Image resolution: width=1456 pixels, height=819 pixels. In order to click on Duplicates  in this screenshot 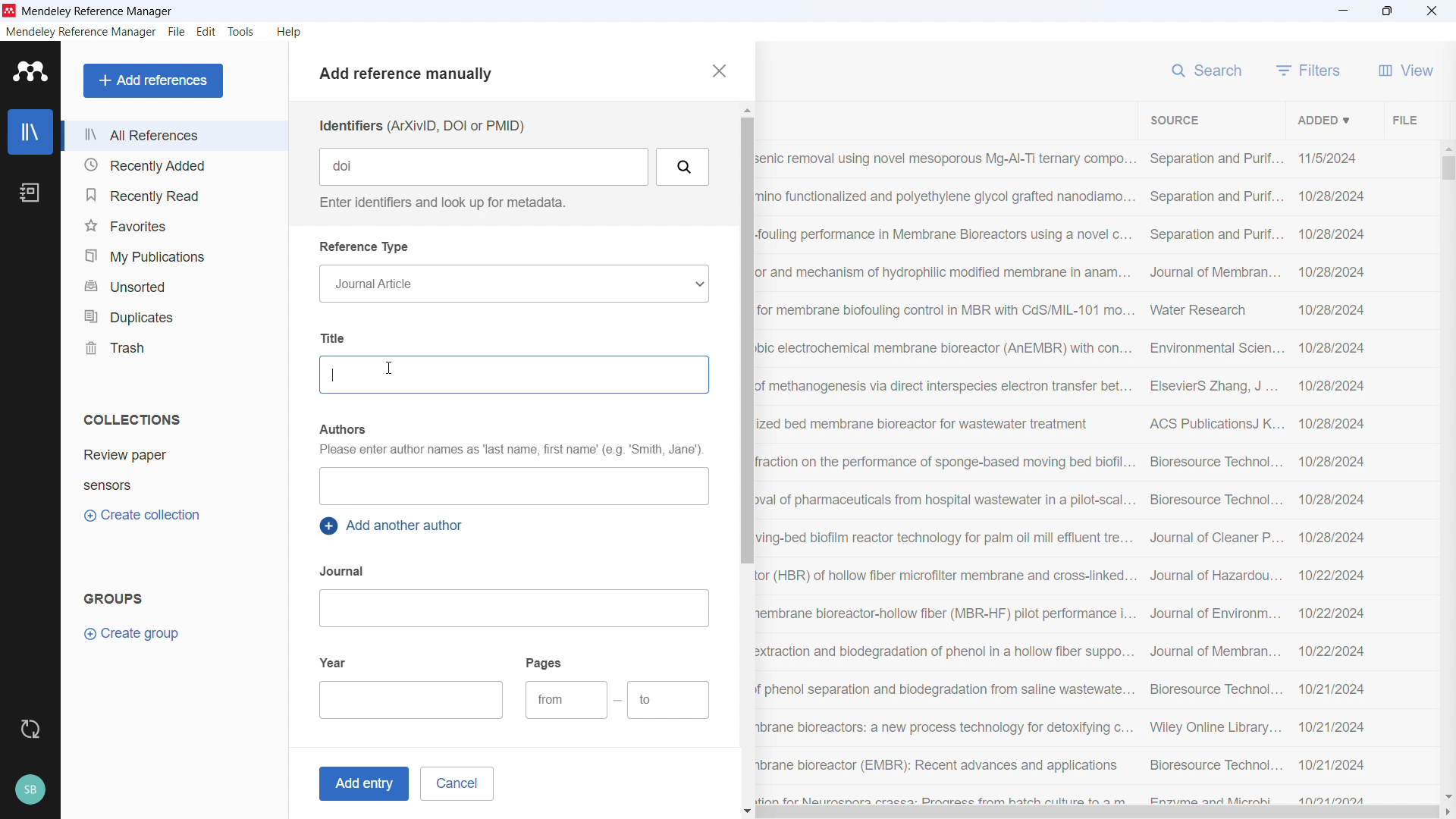, I will do `click(174, 315)`.